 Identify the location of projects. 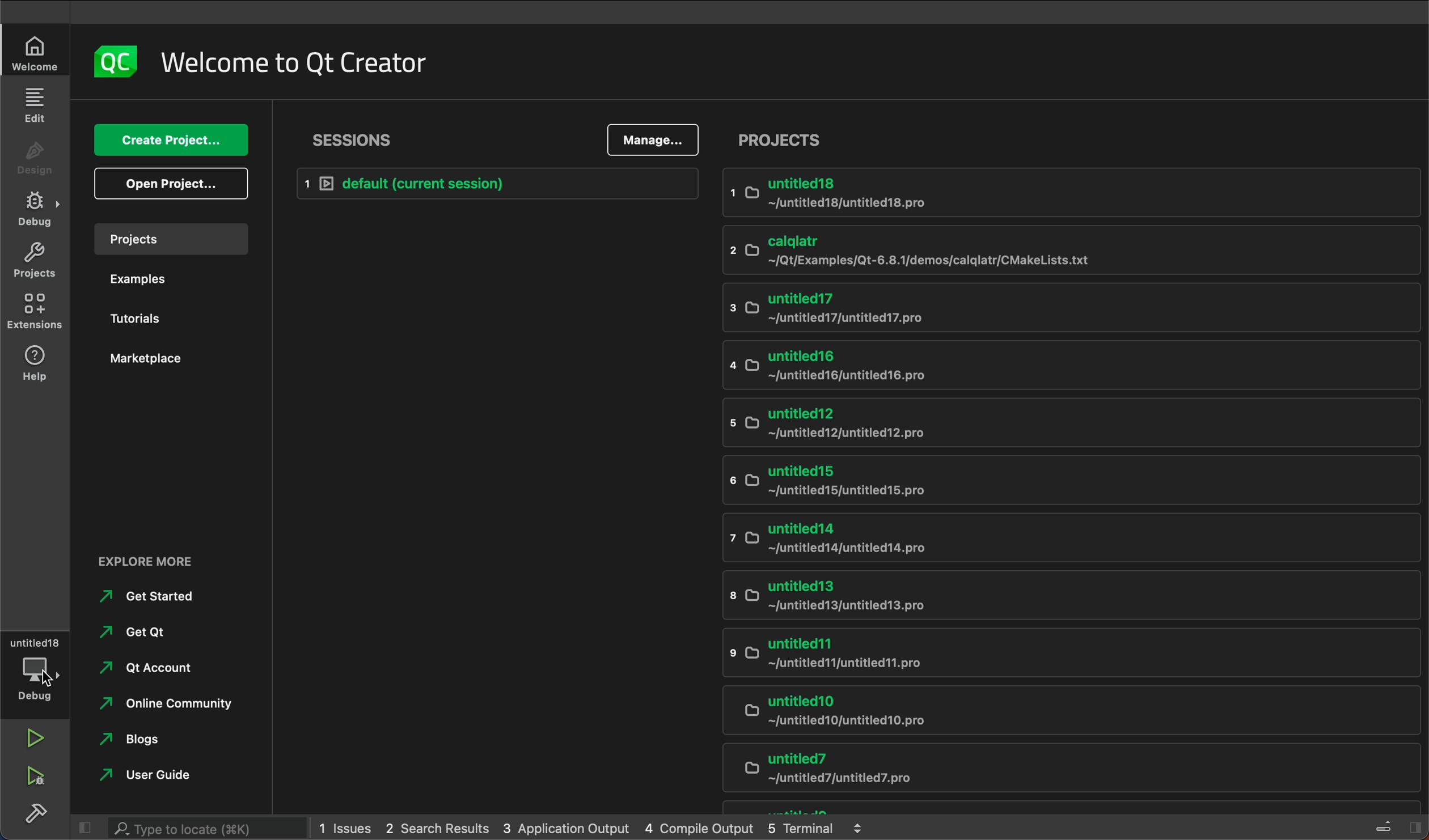
(169, 241).